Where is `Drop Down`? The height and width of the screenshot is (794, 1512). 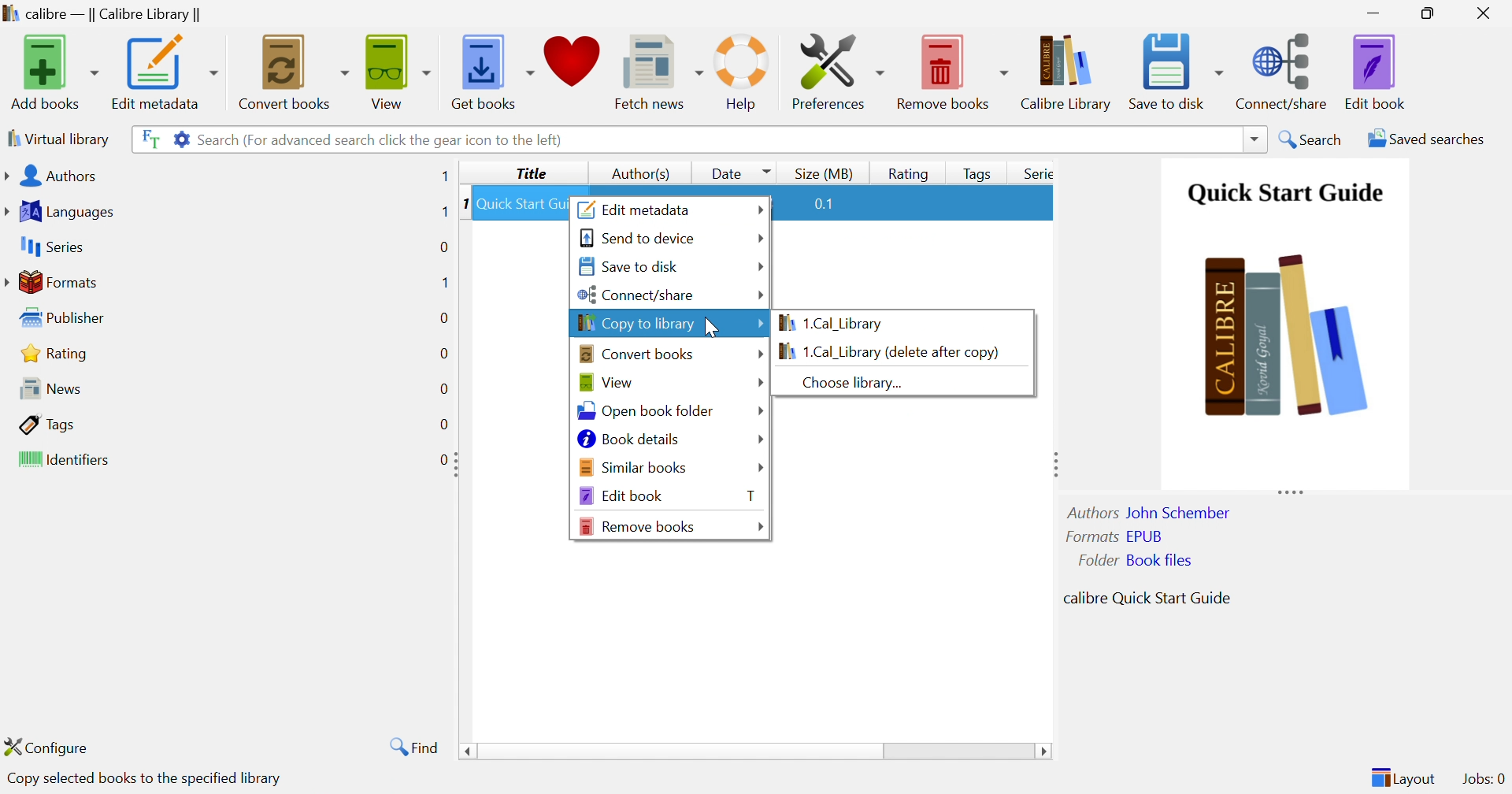
Drop Down is located at coordinates (757, 238).